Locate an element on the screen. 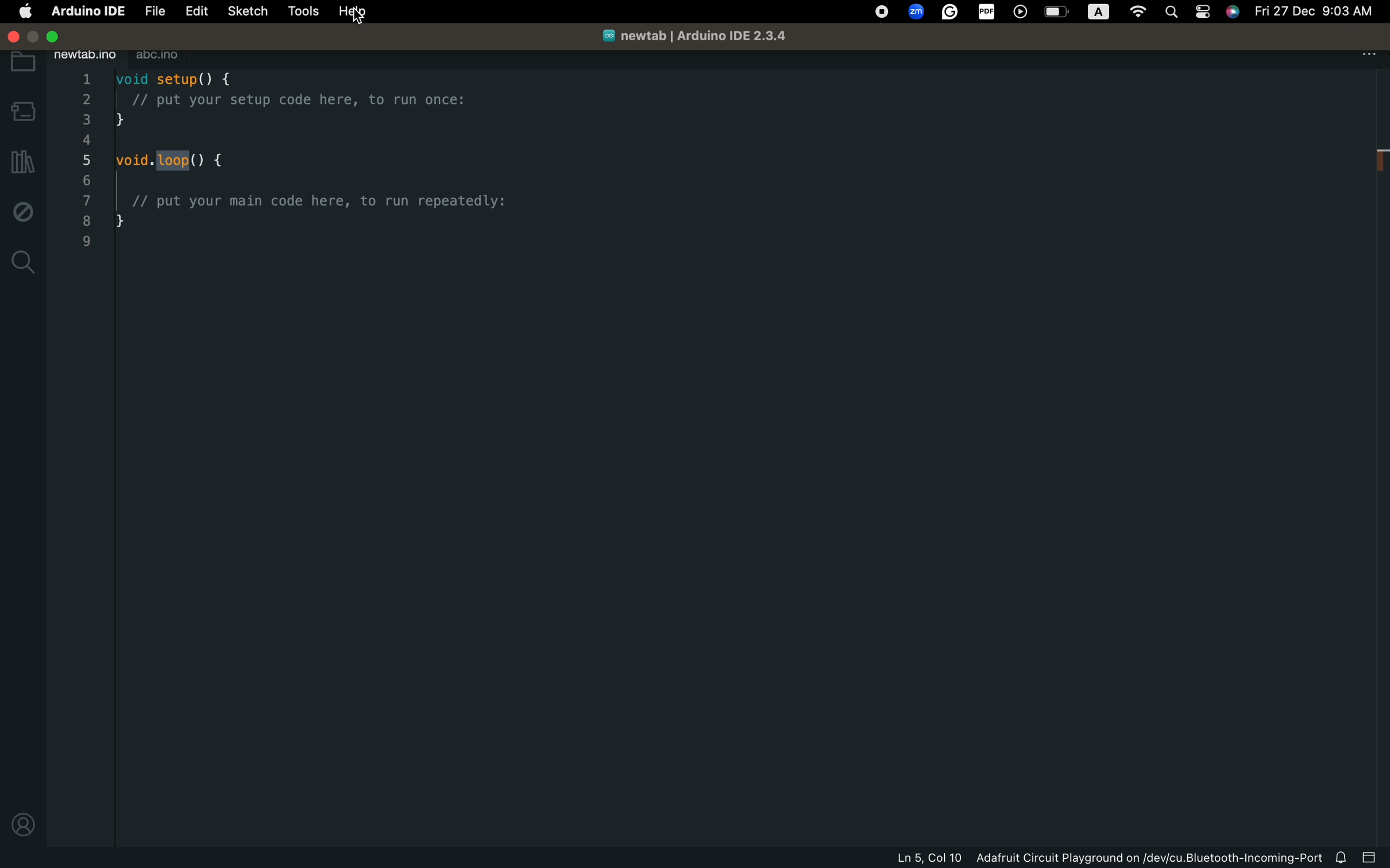  Arduino IDE is located at coordinates (87, 10).